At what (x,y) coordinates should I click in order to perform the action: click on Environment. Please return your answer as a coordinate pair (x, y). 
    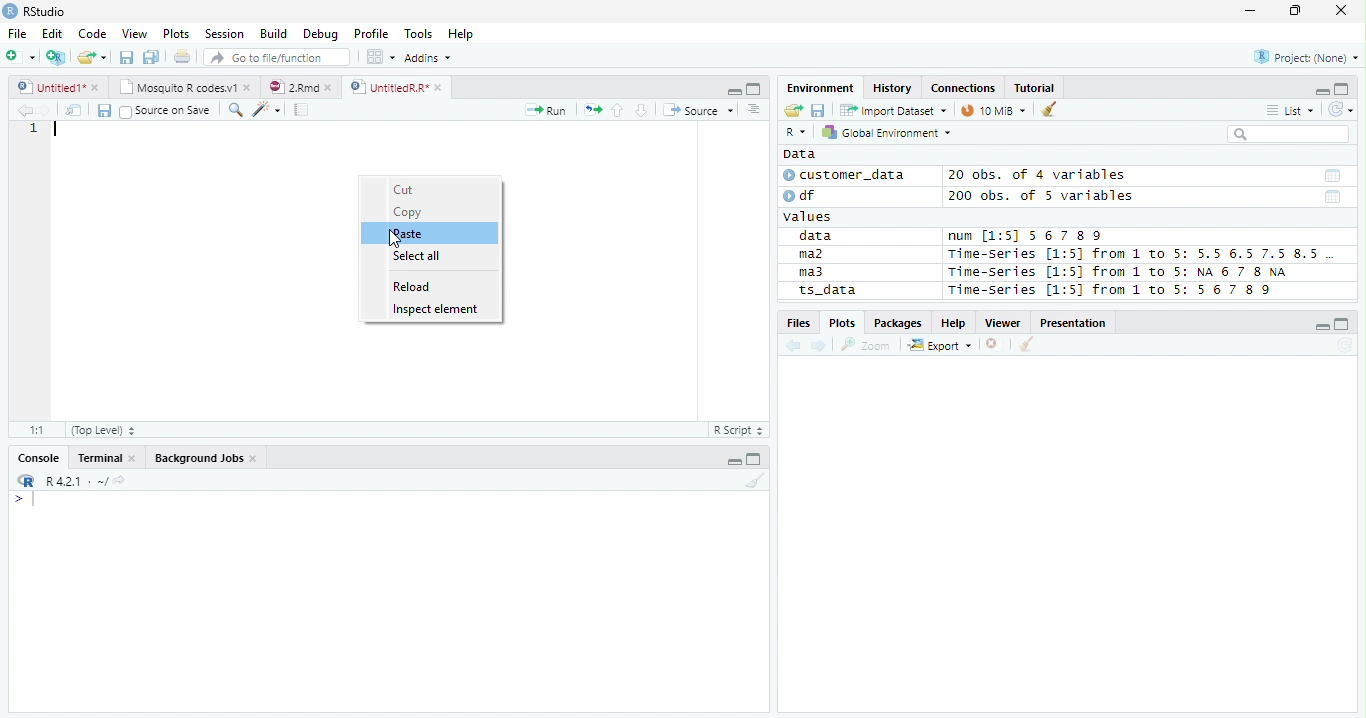
    Looking at the image, I should click on (822, 88).